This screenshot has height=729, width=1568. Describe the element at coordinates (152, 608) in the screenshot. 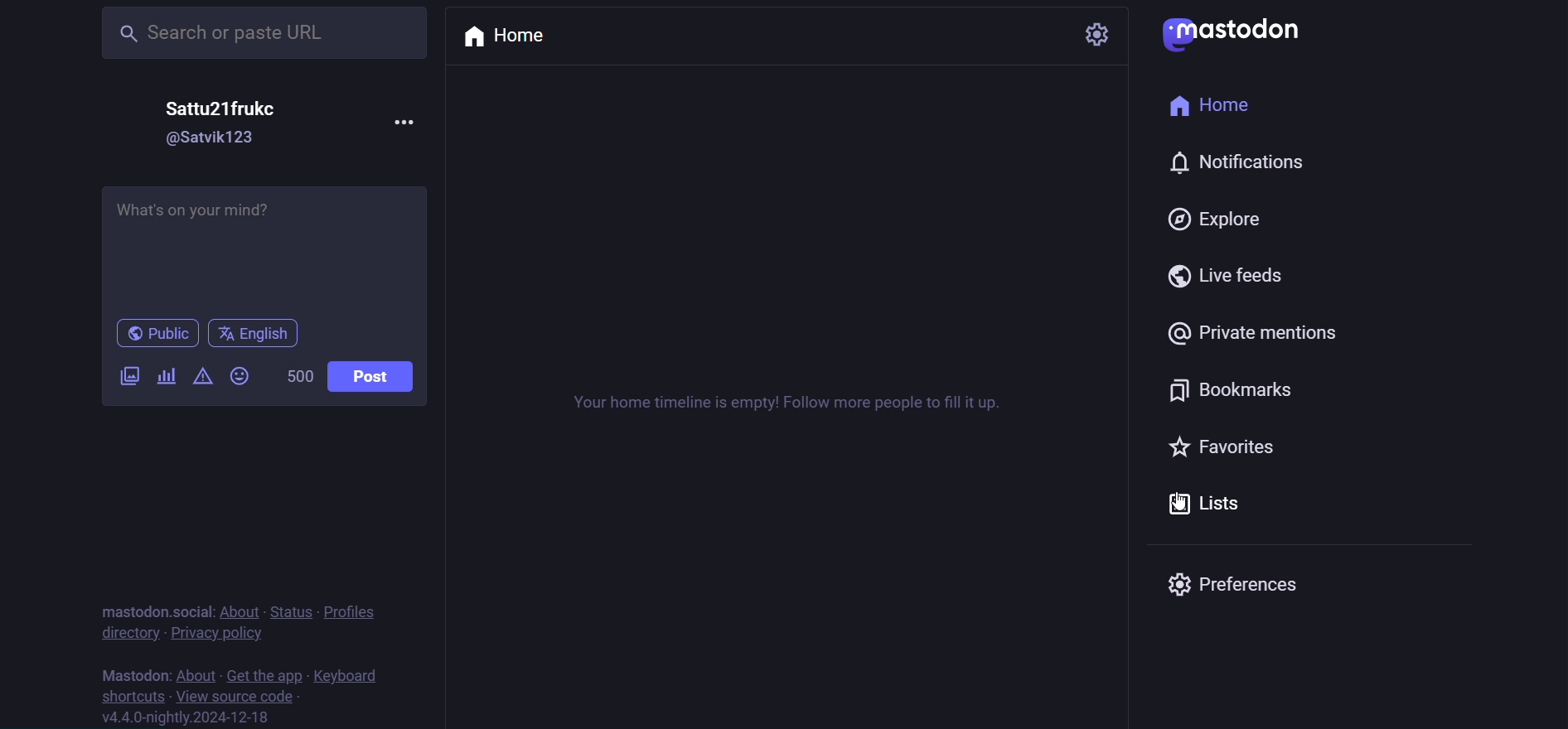

I see `mastodon social` at that location.